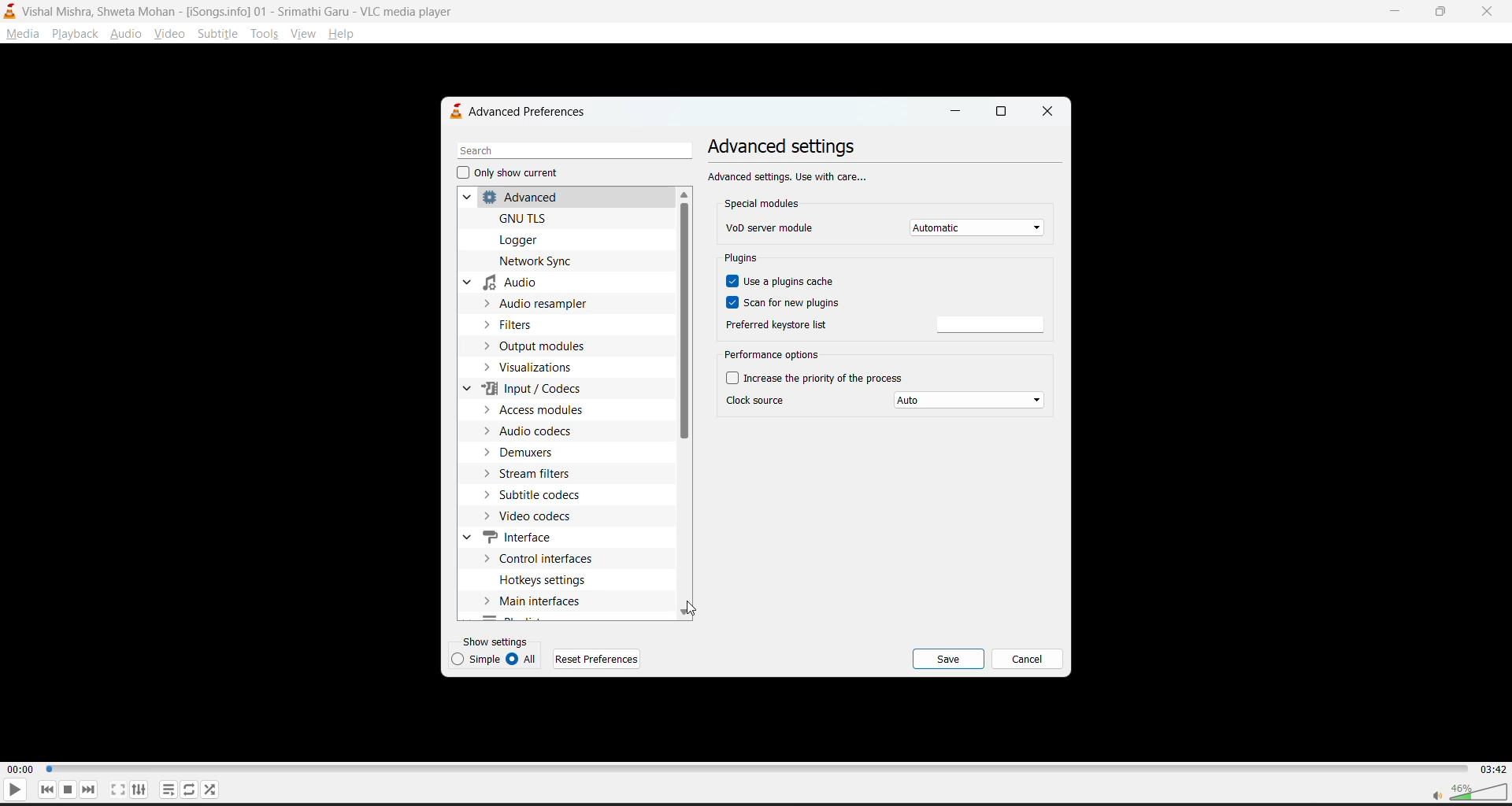 Image resolution: width=1512 pixels, height=806 pixels. I want to click on next, so click(86, 790).